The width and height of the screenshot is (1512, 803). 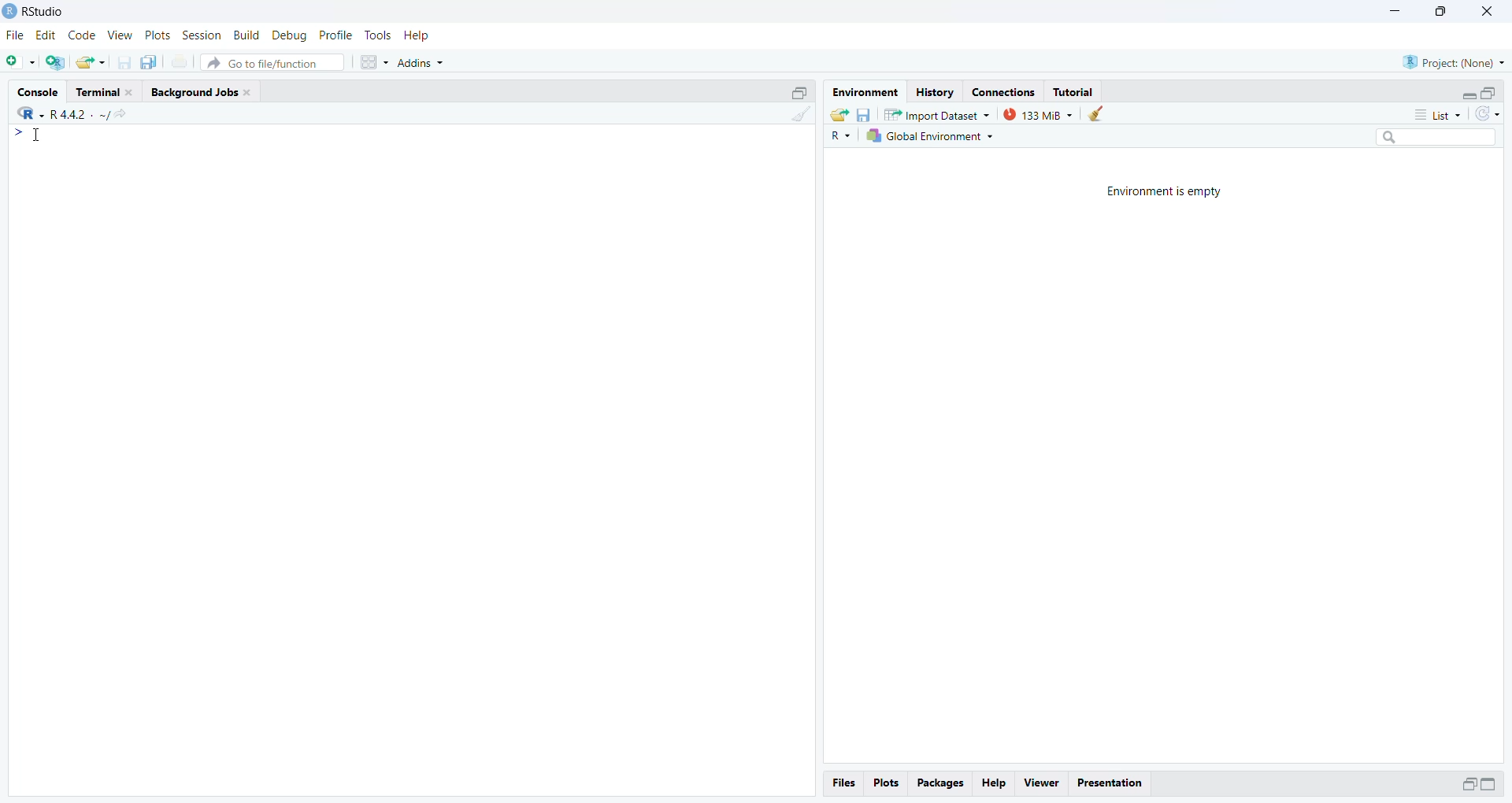 I want to click on R, so click(x=838, y=136).